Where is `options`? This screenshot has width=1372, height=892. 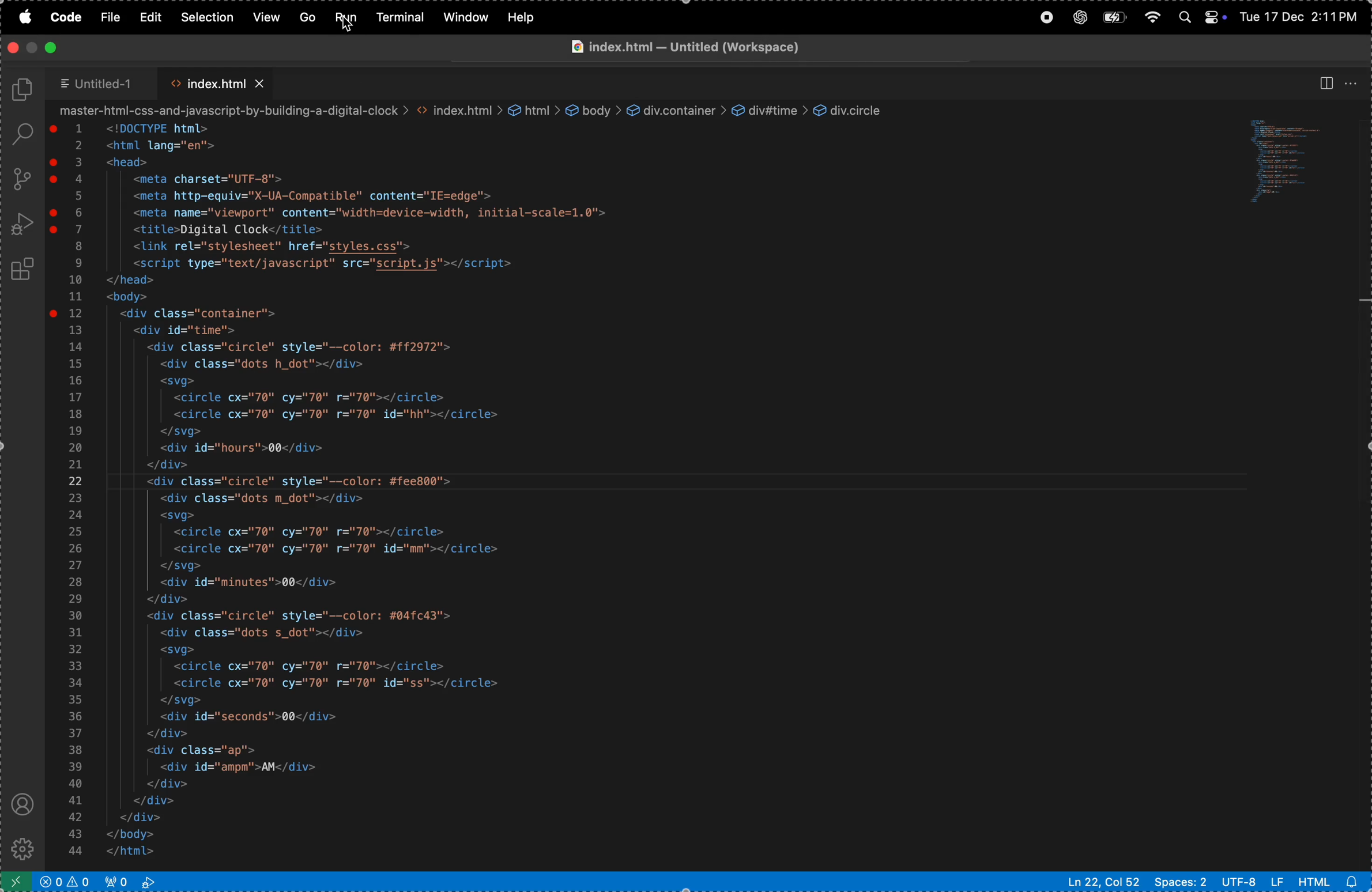
options is located at coordinates (1354, 81).